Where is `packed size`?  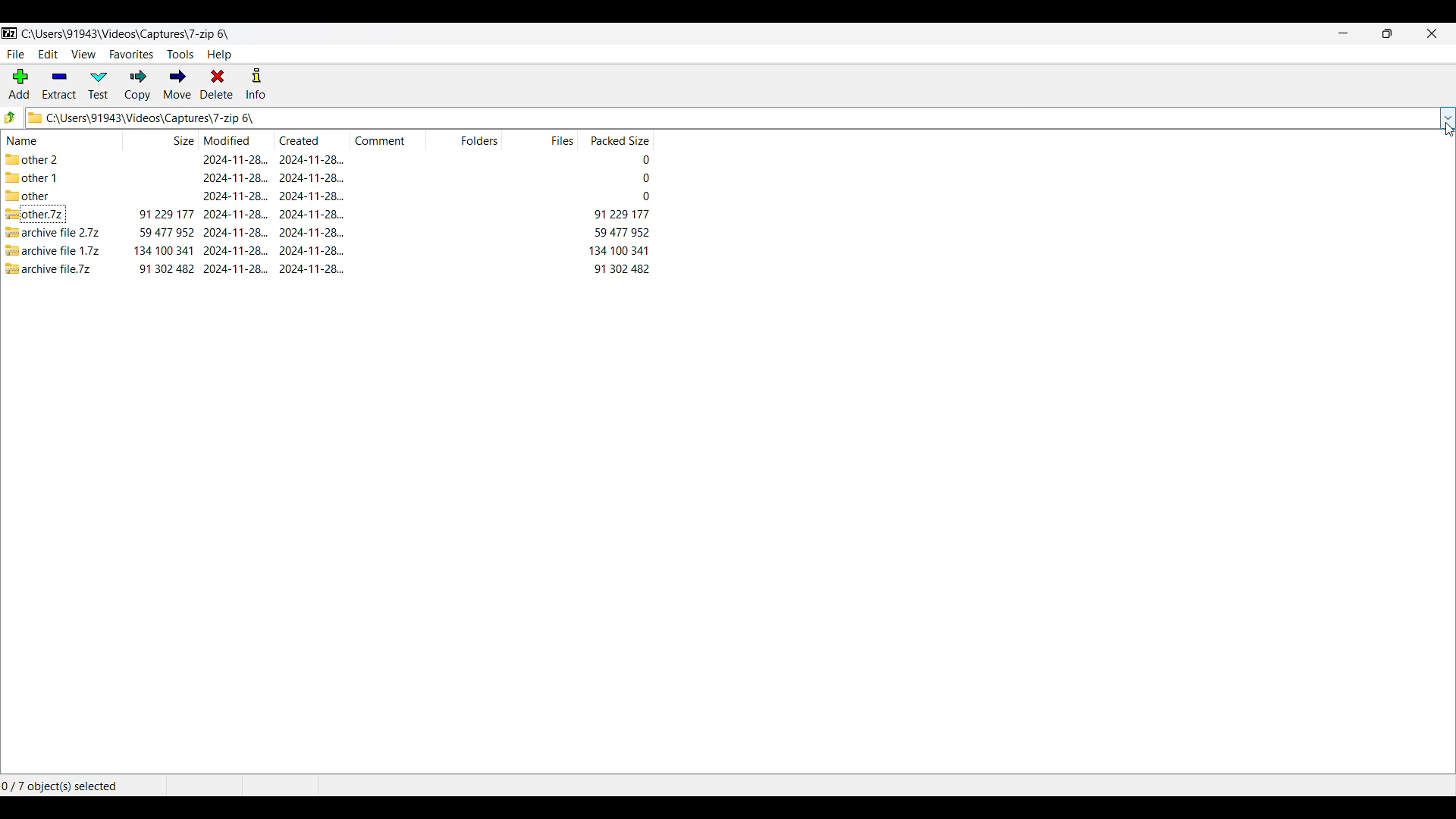 packed size is located at coordinates (621, 232).